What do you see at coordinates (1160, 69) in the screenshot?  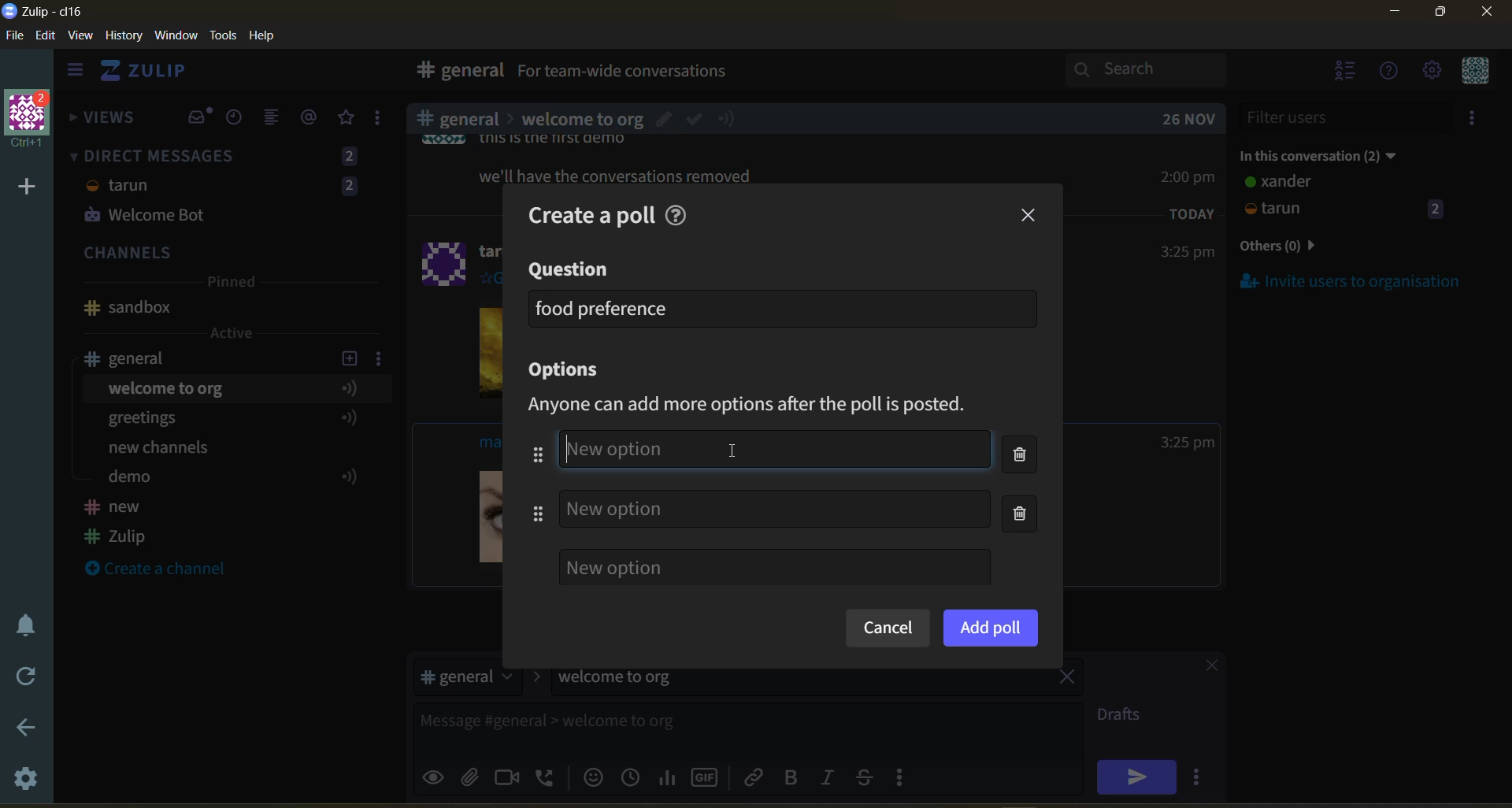 I see `search` at bounding box center [1160, 69].